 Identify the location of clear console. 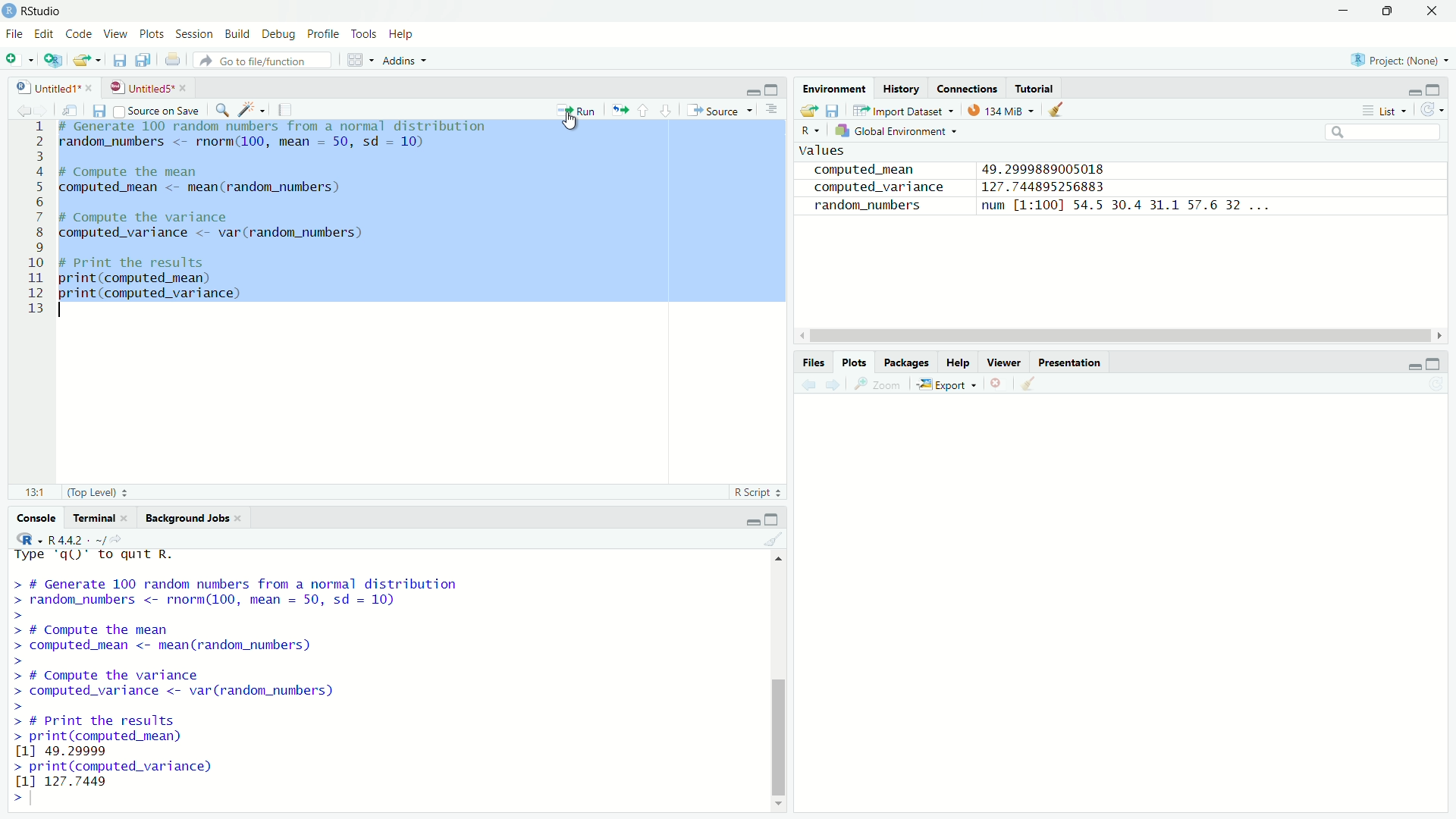
(773, 538).